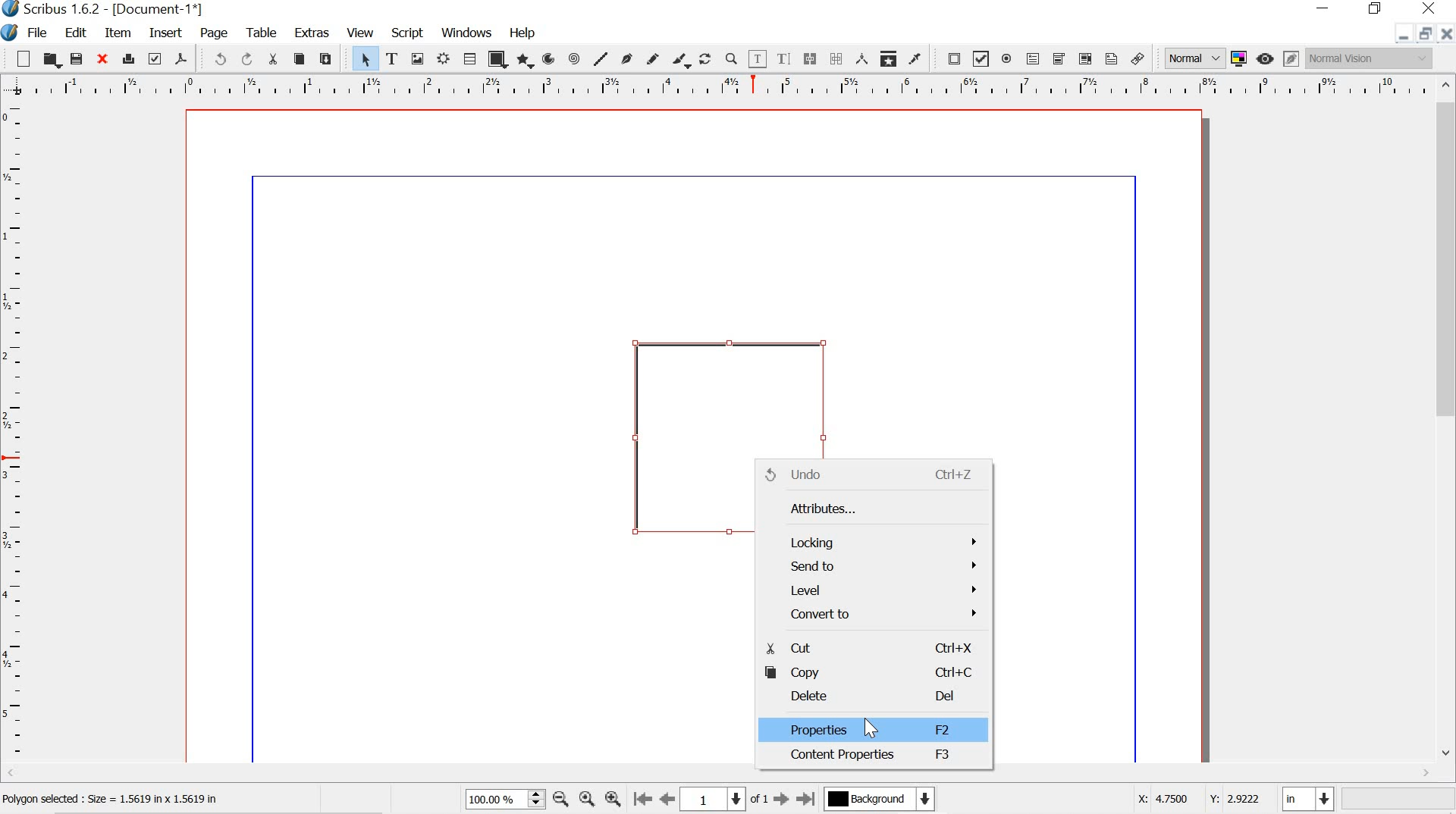  I want to click on Delete Del, so click(878, 696).